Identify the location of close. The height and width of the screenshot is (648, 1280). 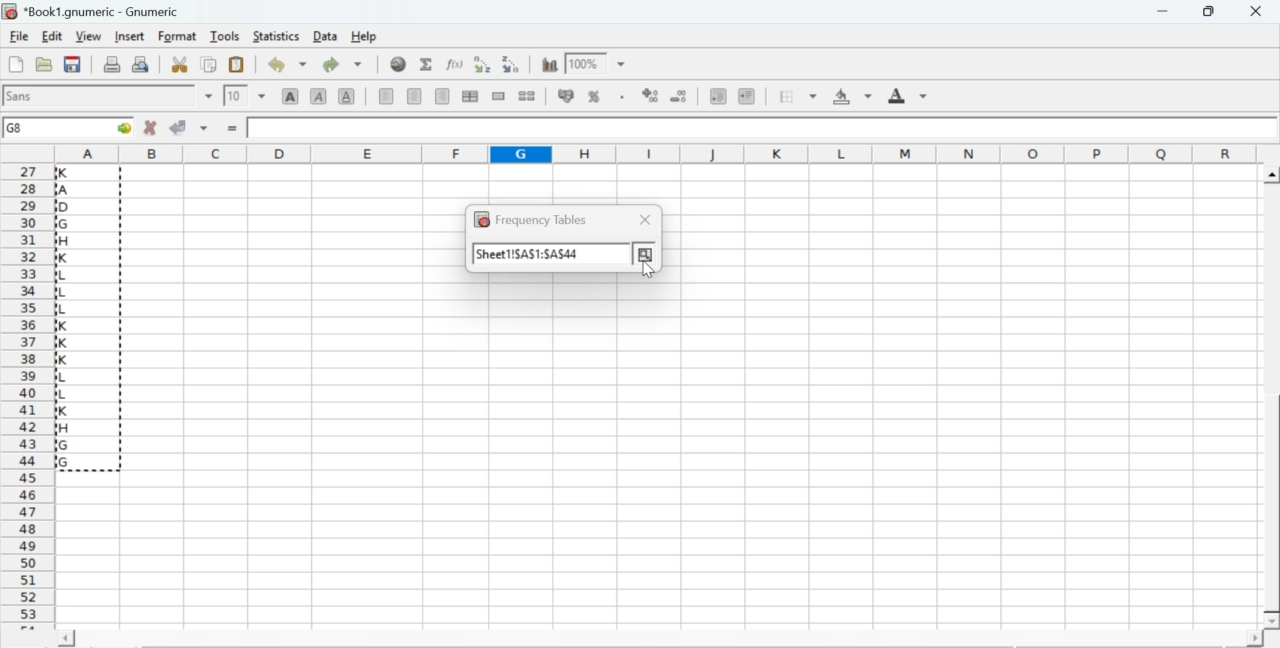
(646, 219).